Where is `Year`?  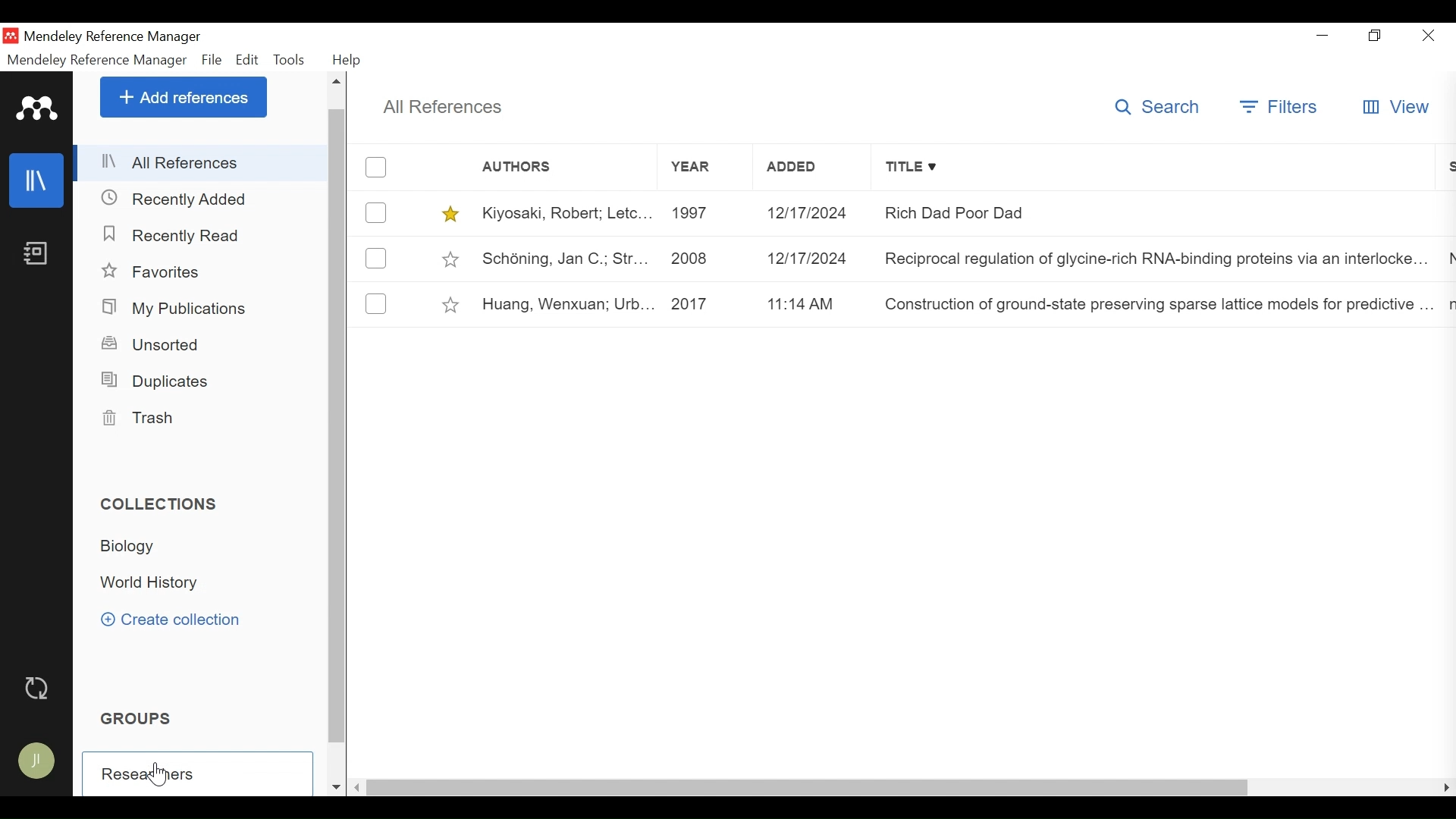
Year is located at coordinates (701, 169).